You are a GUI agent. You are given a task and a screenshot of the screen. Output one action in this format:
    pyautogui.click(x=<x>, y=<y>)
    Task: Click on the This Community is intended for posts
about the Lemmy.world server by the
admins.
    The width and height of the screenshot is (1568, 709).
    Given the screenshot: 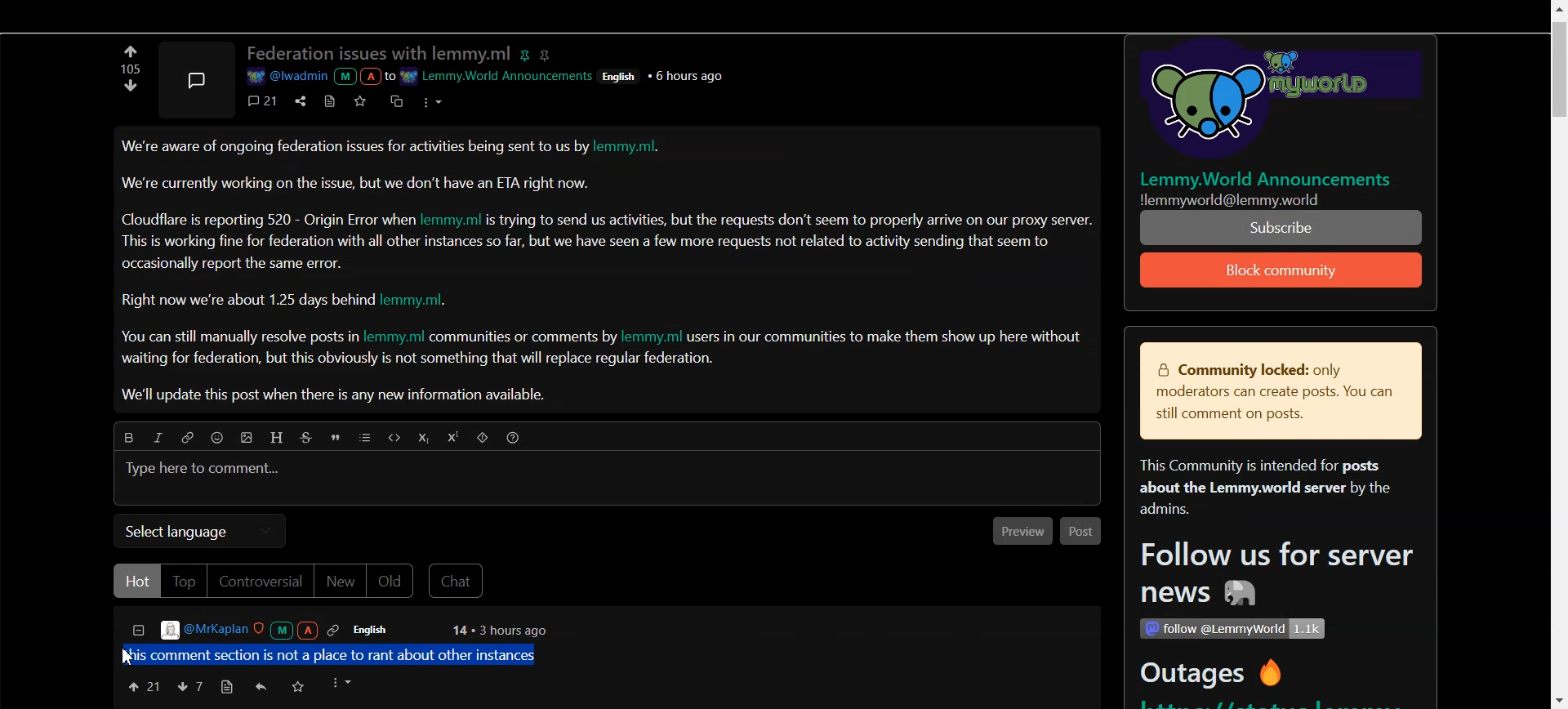 What is the action you would take?
    pyautogui.click(x=1258, y=488)
    